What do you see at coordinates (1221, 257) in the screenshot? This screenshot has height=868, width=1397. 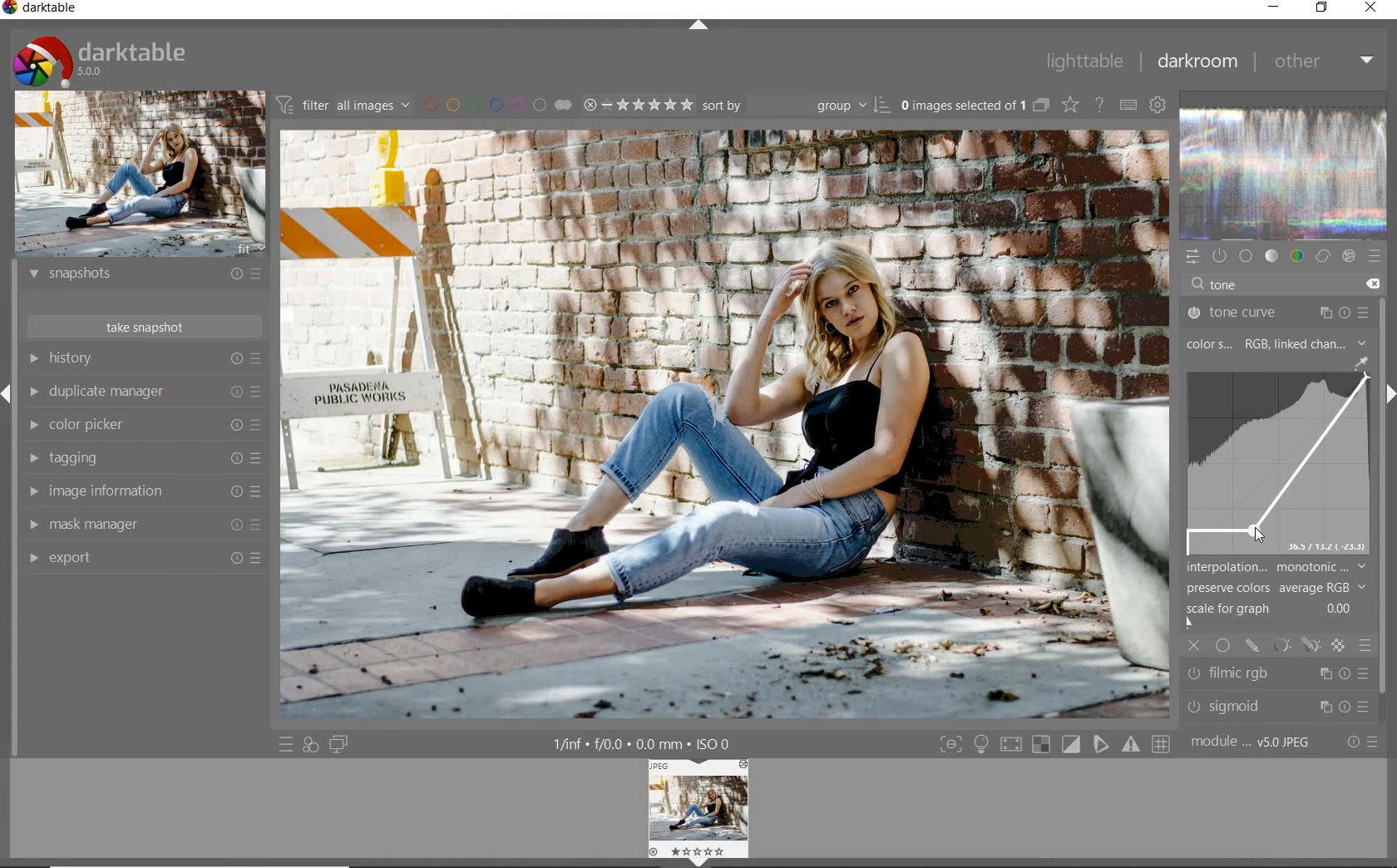 I see `show only active modules` at bounding box center [1221, 257].